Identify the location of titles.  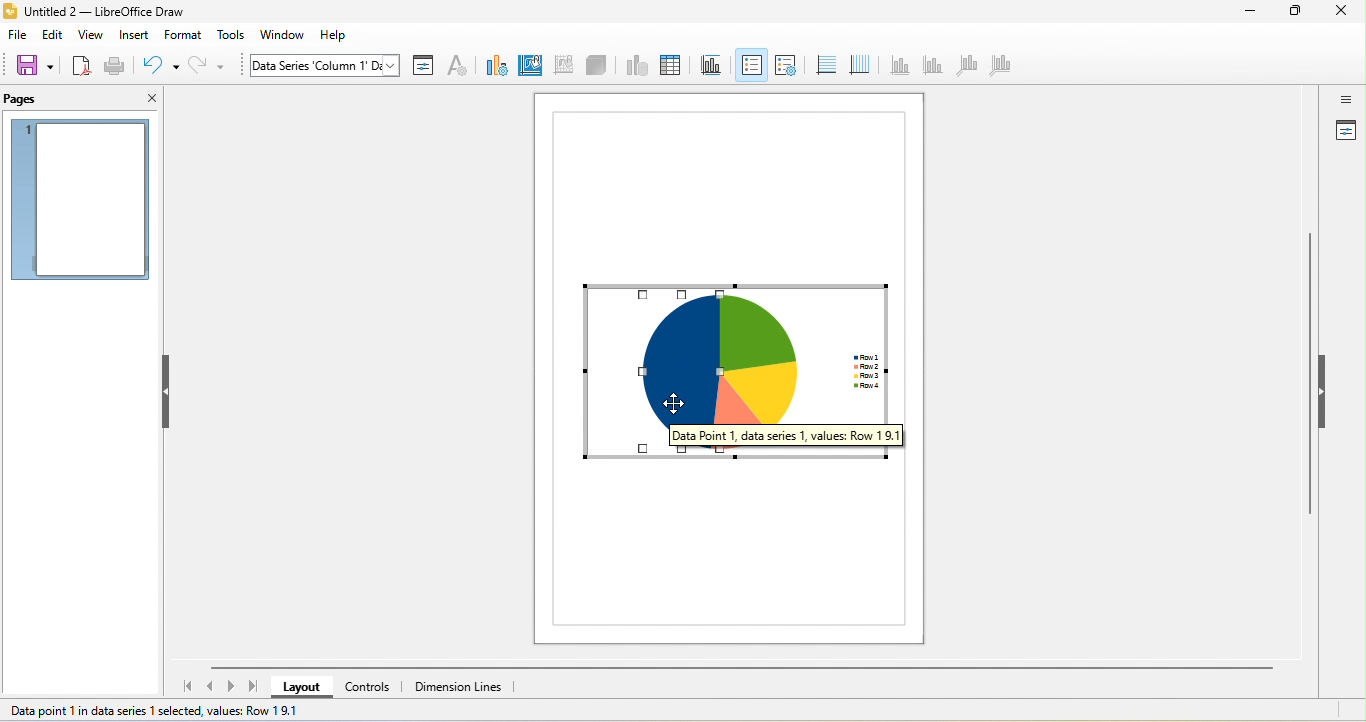
(708, 65).